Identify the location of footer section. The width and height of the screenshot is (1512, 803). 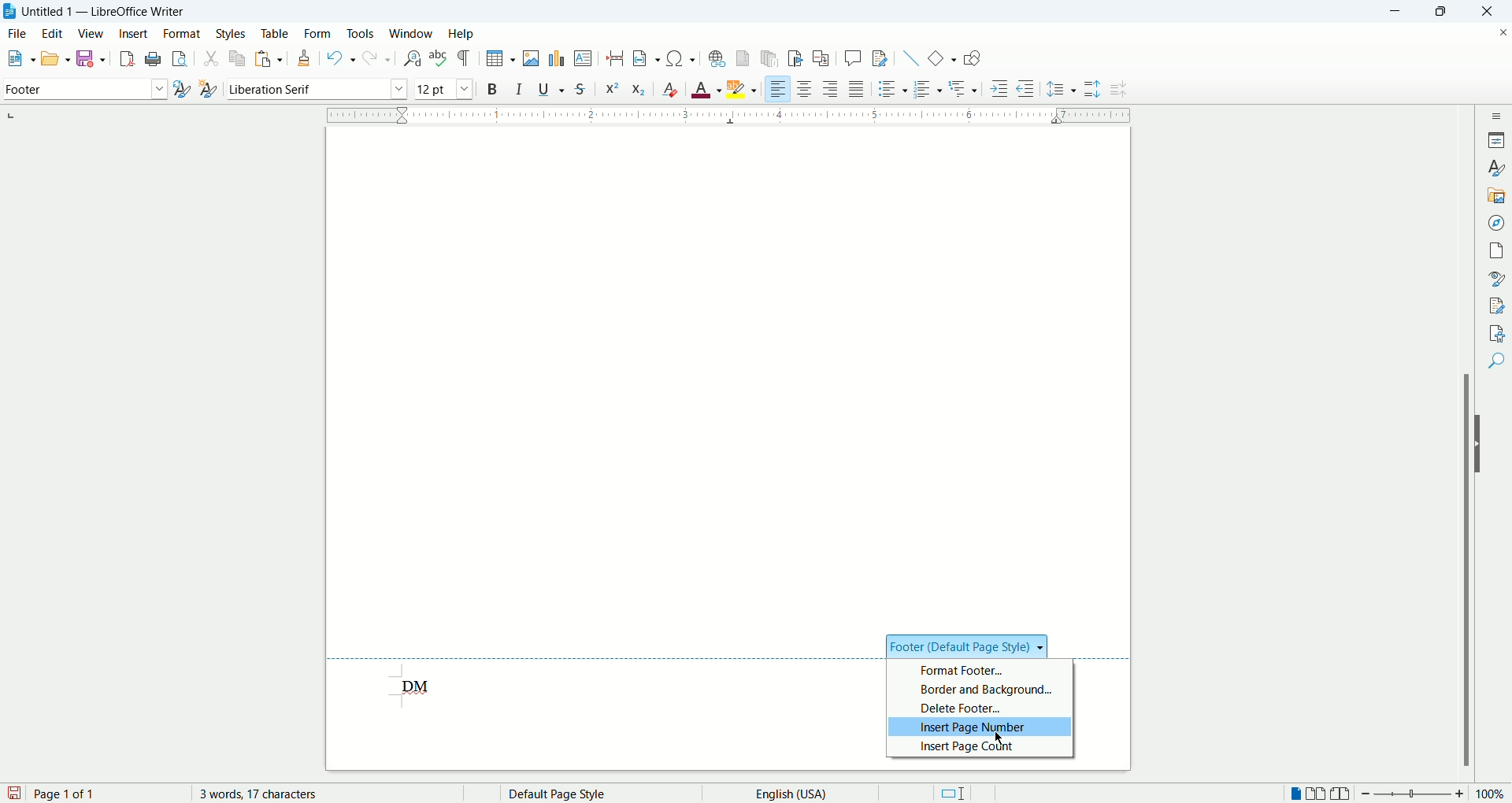
(970, 643).